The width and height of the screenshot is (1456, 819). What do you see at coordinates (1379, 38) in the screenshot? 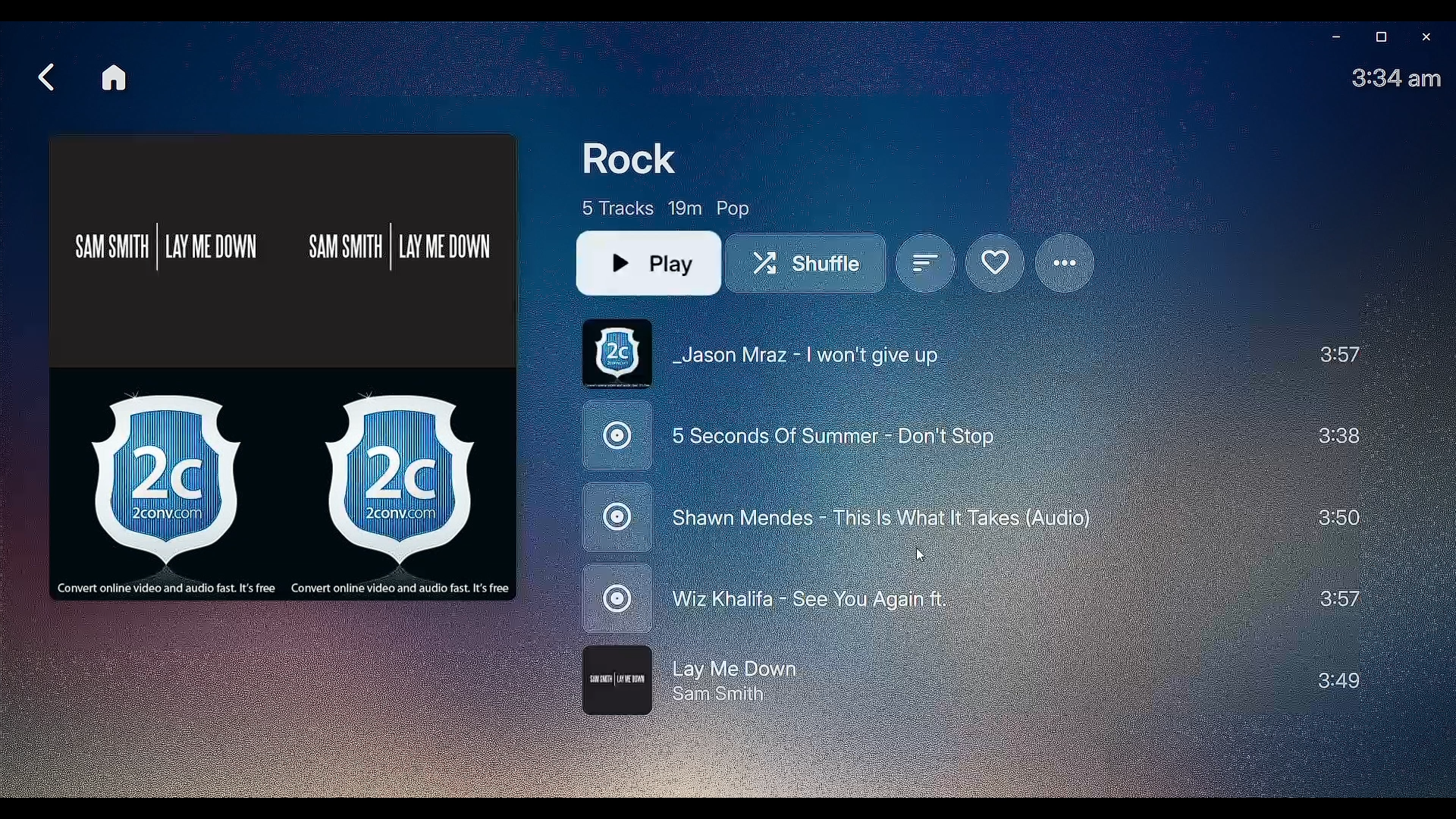
I see `Restore` at bounding box center [1379, 38].